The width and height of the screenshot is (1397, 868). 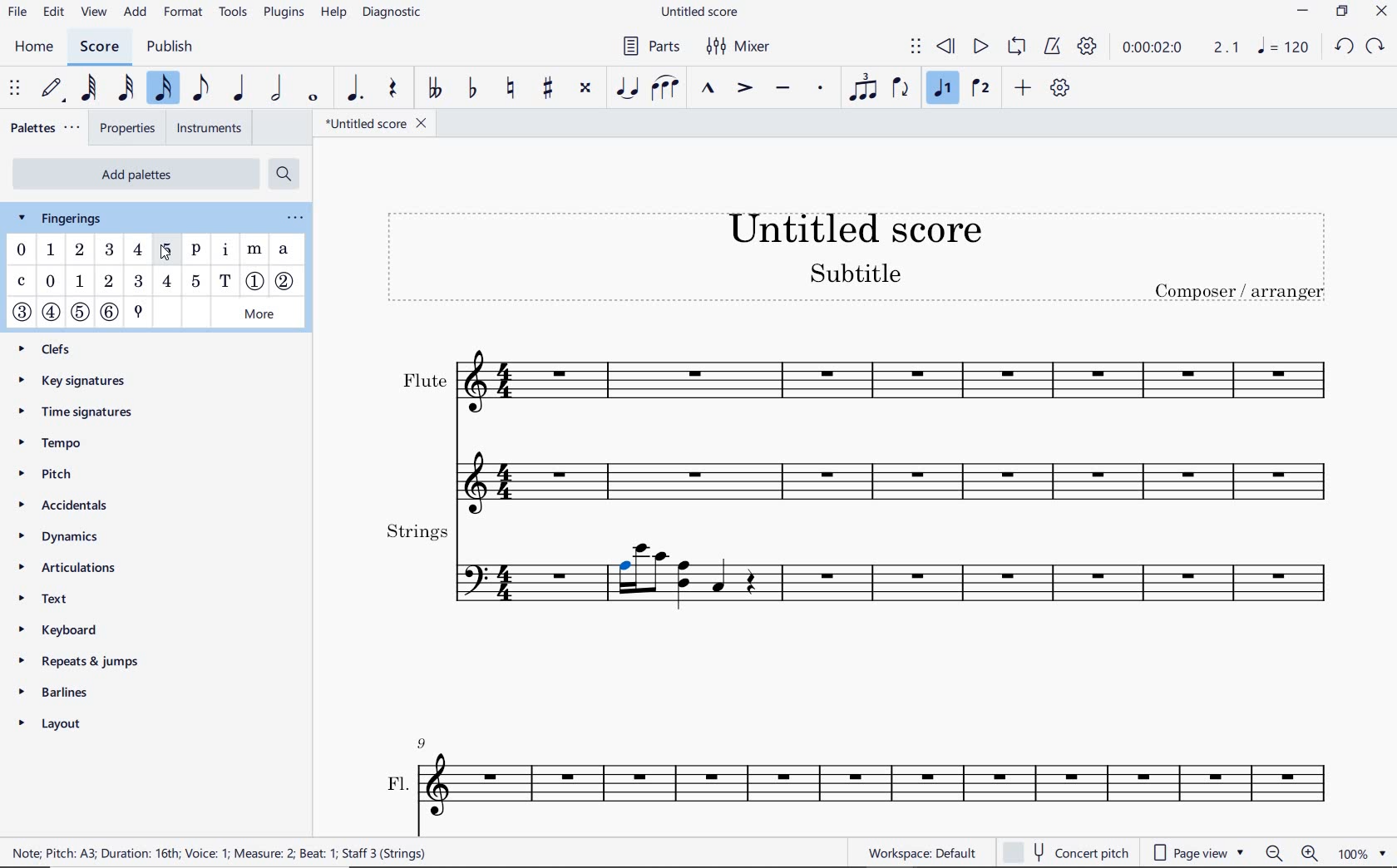 What do you see at coordinates (943, 89) in the screenshot?
I see `voice 1` at bounding box center [943, 89].